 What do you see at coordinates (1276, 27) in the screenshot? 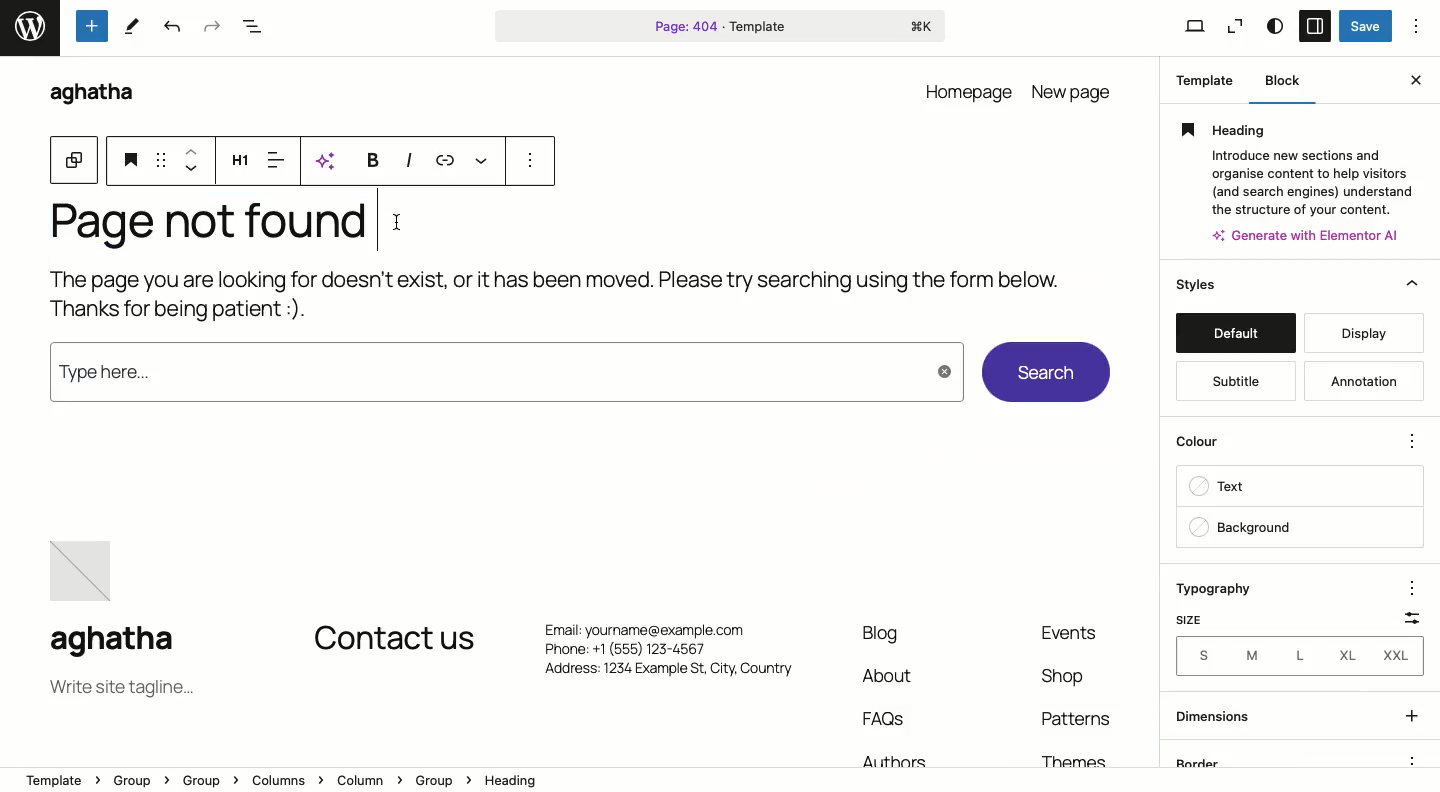
I see `Style` at bounding box center [1276, 27].